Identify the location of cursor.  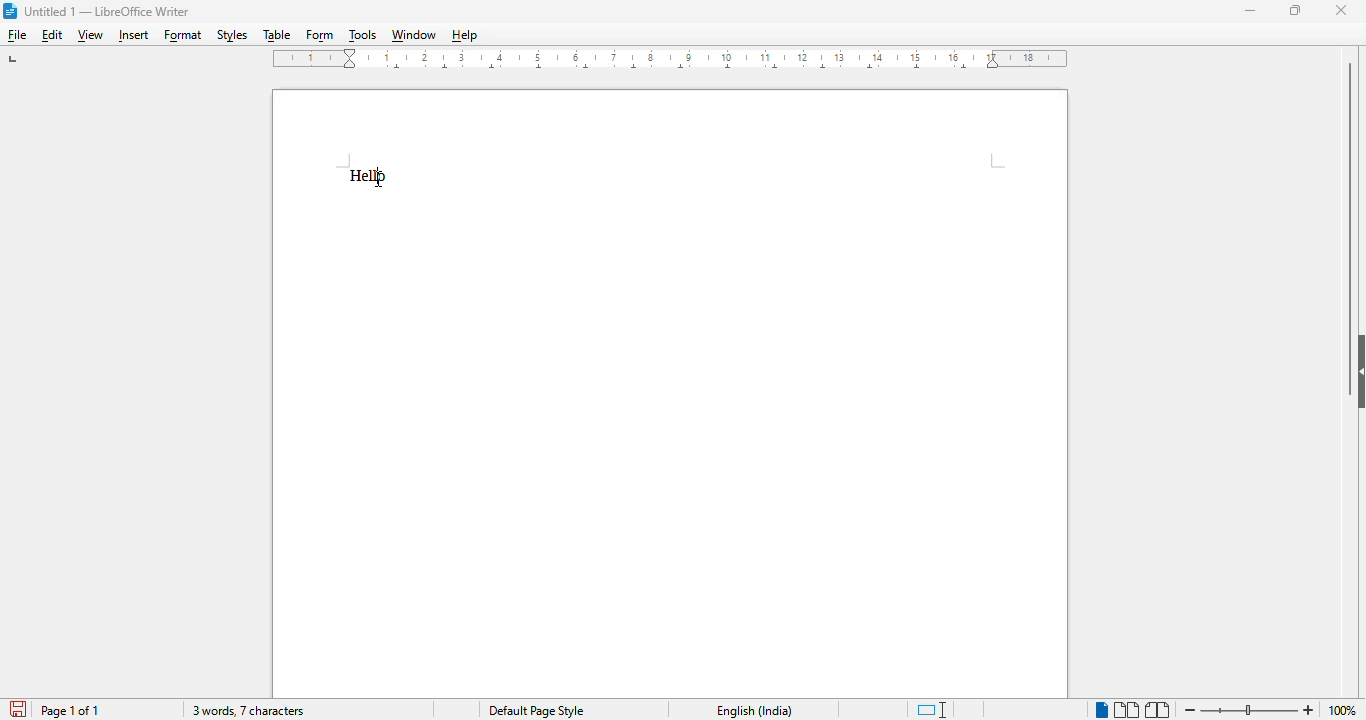
(378, 178).